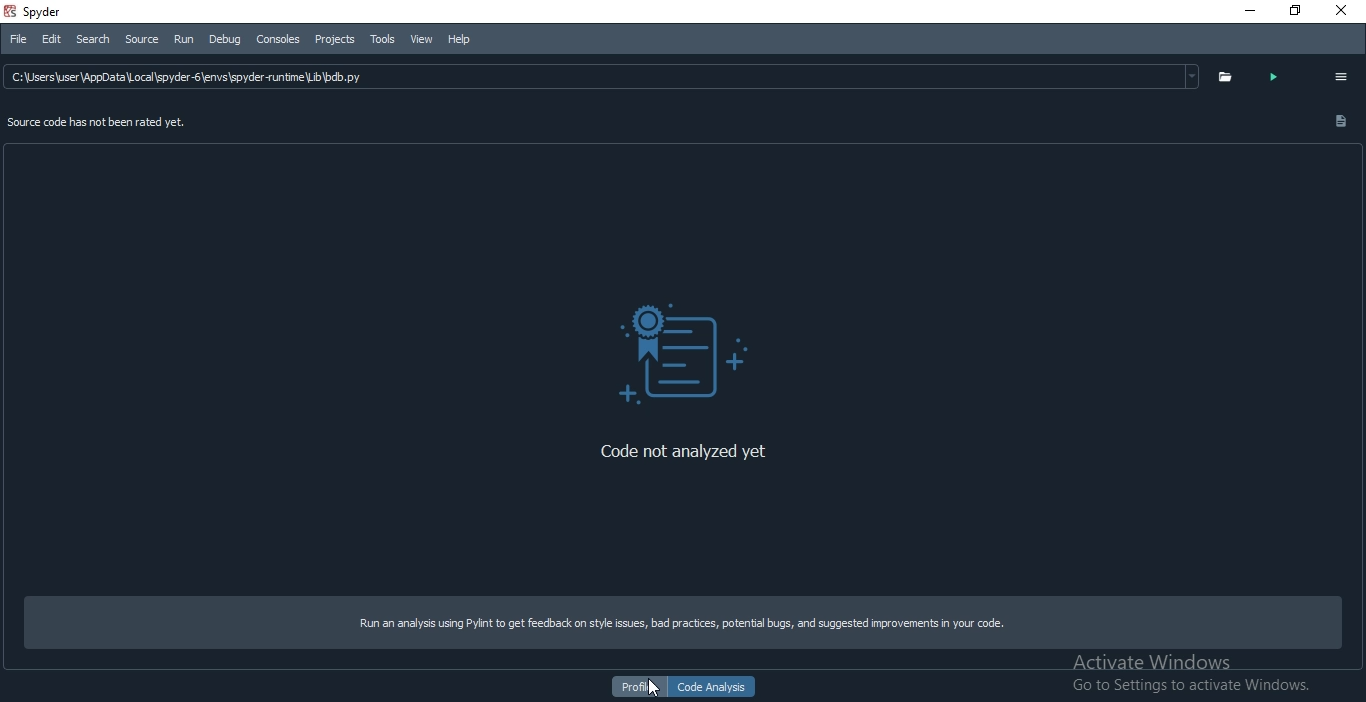 This screenshot has width=1366, height=702. I want to click on C:\Users ser VAppData Vocal spyder 6 \envs spyder runtime Vb \bdb.py, so click(602, 75).